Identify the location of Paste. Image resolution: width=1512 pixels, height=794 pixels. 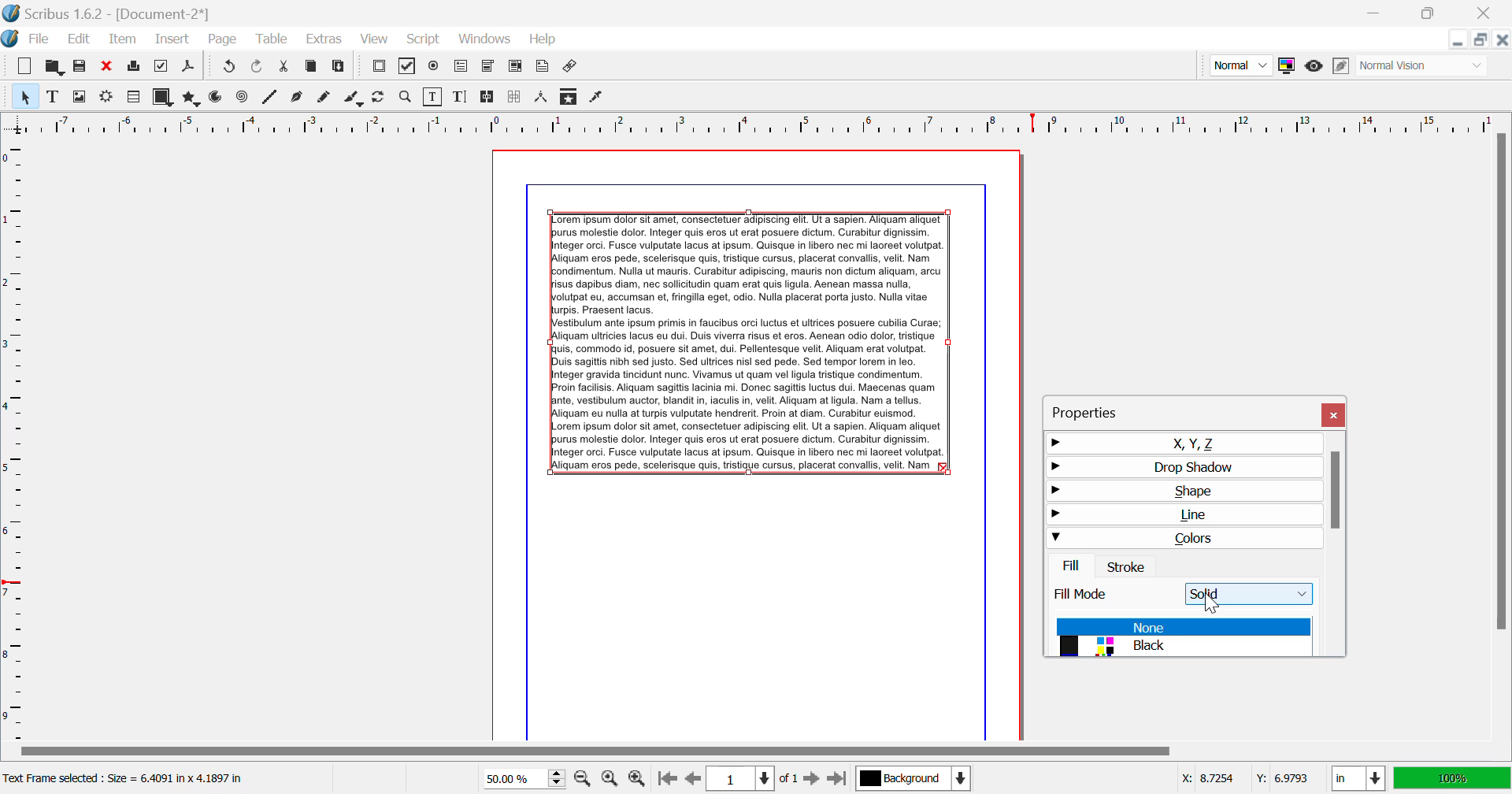
(340, 69).